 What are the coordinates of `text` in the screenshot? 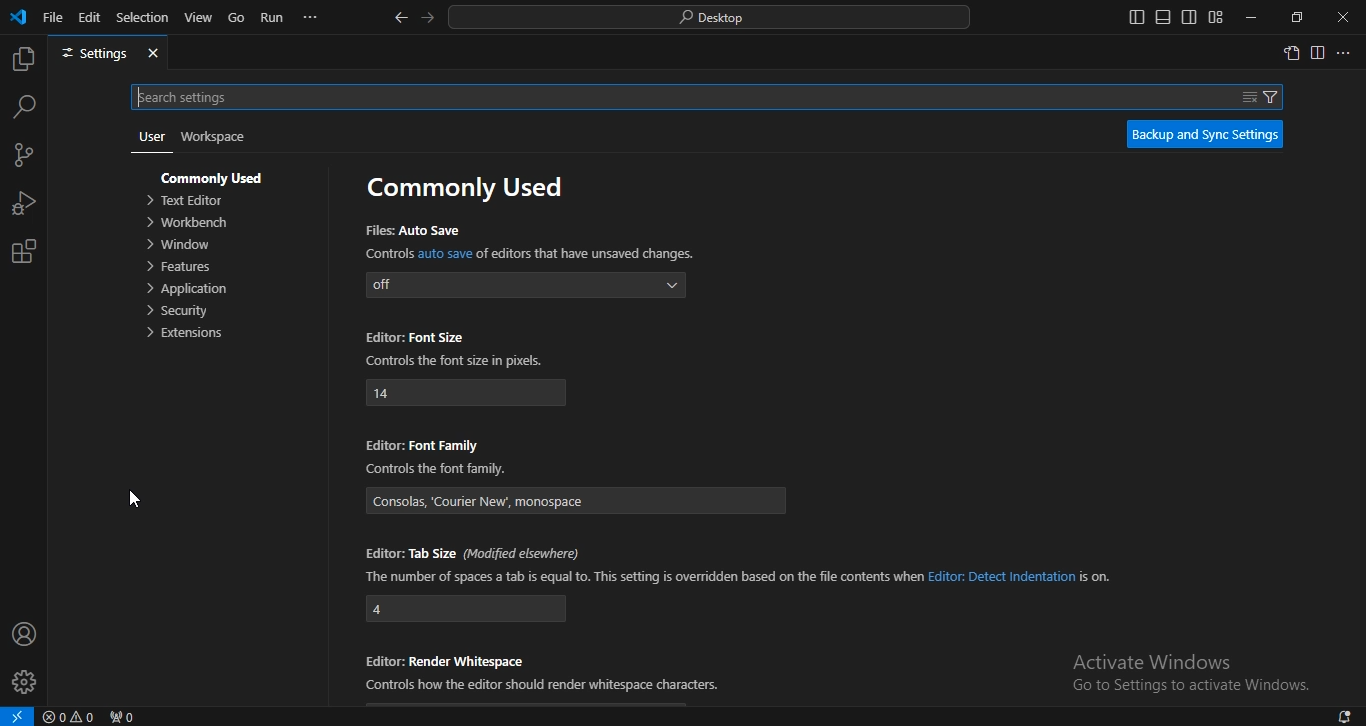 It's located at (1154, 661).